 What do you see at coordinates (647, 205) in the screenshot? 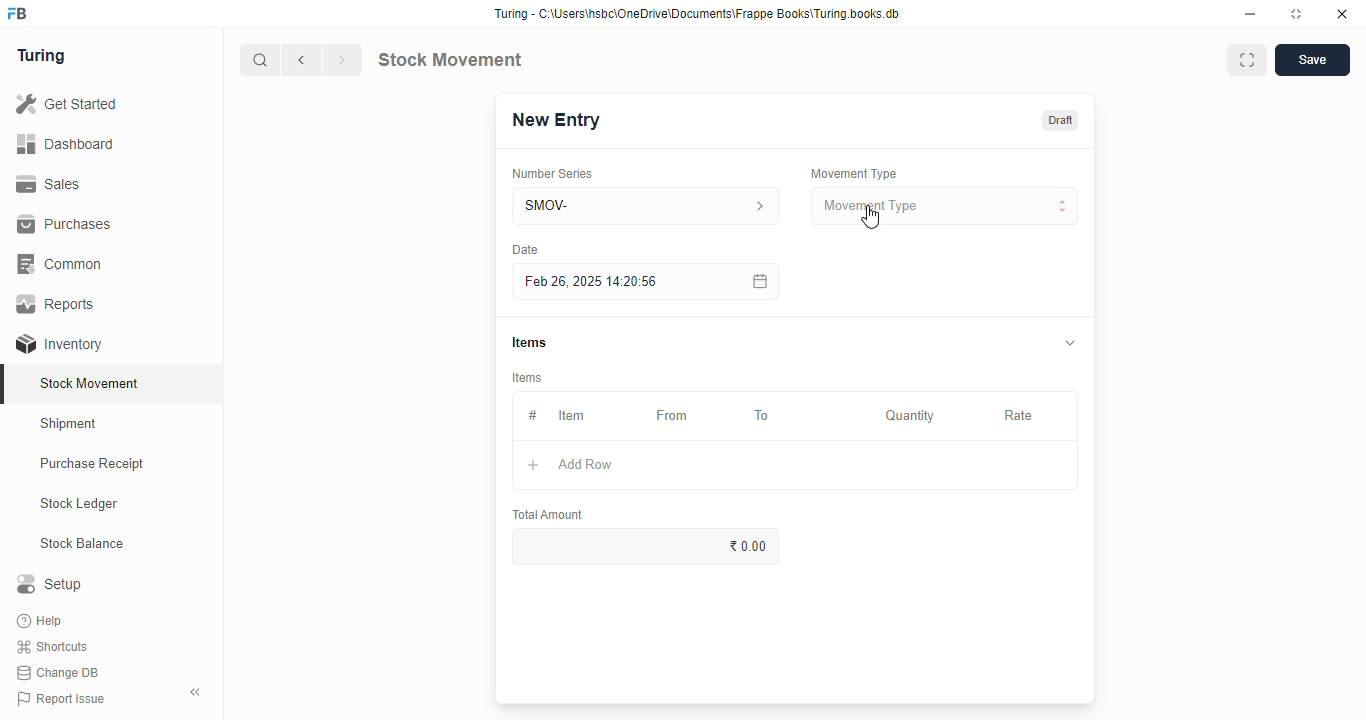
I see `SMOV-` at bounding box center [647, 205].